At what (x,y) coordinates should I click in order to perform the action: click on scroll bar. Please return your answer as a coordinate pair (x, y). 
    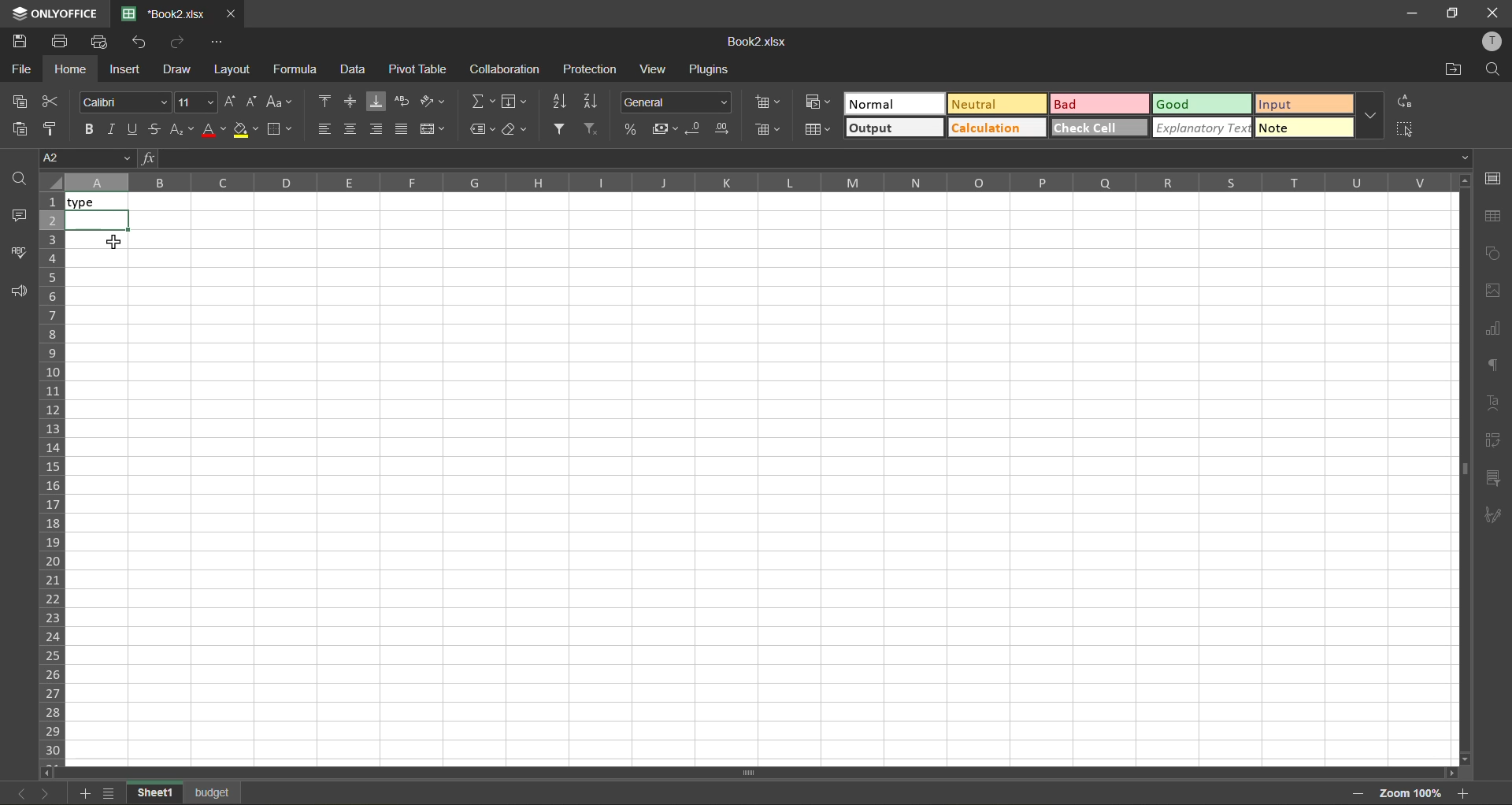
    Looking at the image, I should click on (1460, 370).